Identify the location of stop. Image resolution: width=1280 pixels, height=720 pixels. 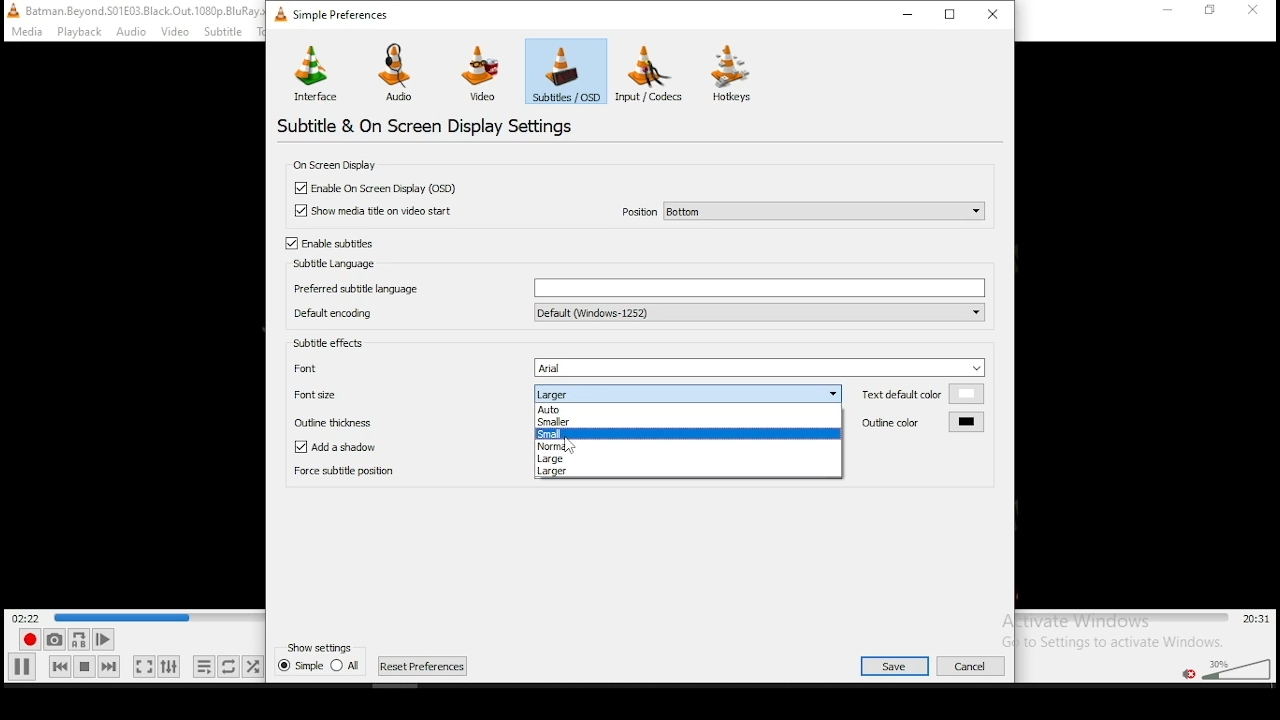
(84, 666).